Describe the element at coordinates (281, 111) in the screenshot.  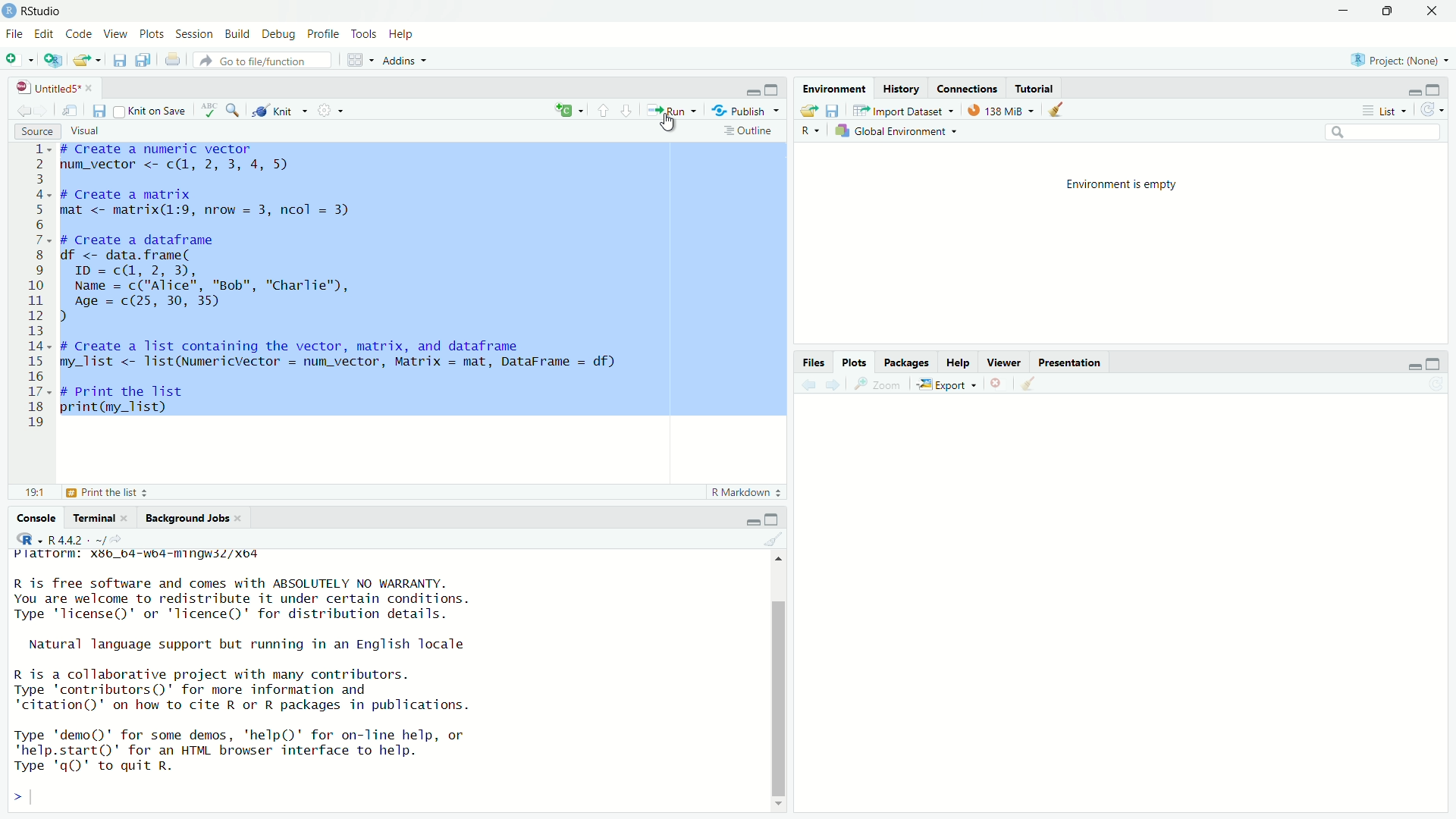
I see `Knit` at that location.